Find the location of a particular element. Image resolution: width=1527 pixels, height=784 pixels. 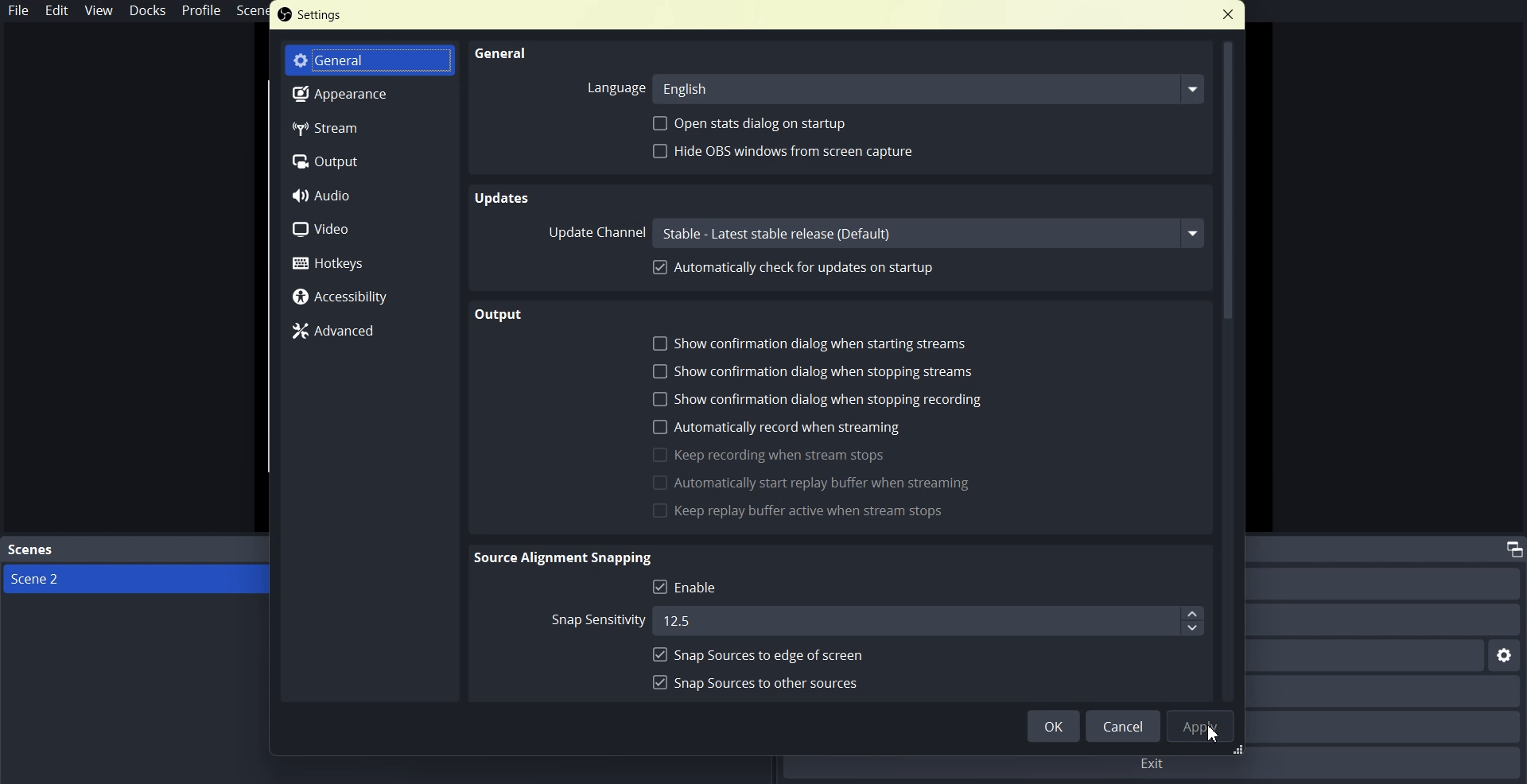

Advanced is located at coordinates (368, 330).